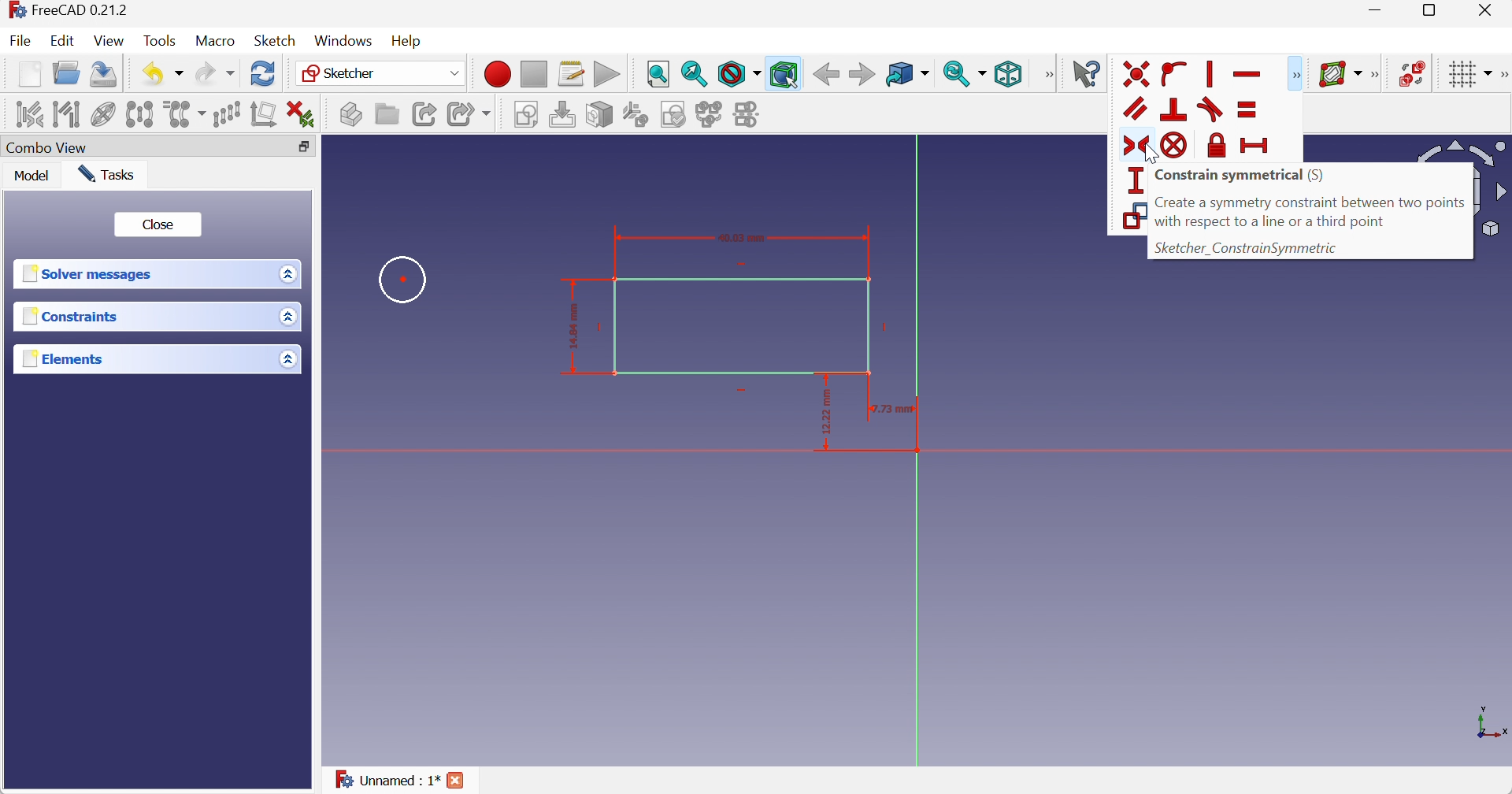  What do you see at coordinates (275, 40) in the screenshot?
I see `Sketch` at bounding box center [275, 40].